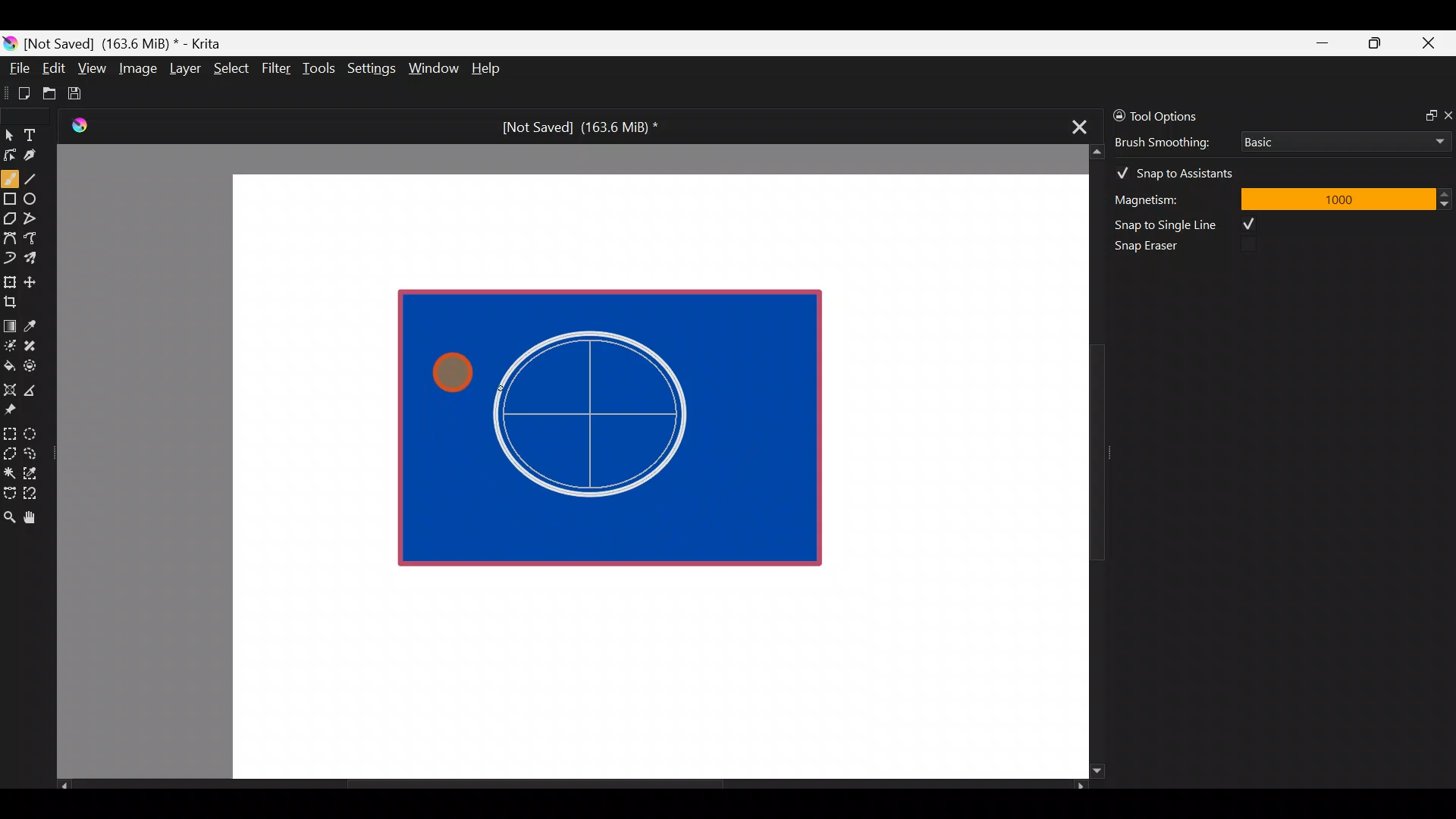 The height and width of the screenshot is (819, 1456). I want to click on Krita logo, so click(10, 42).